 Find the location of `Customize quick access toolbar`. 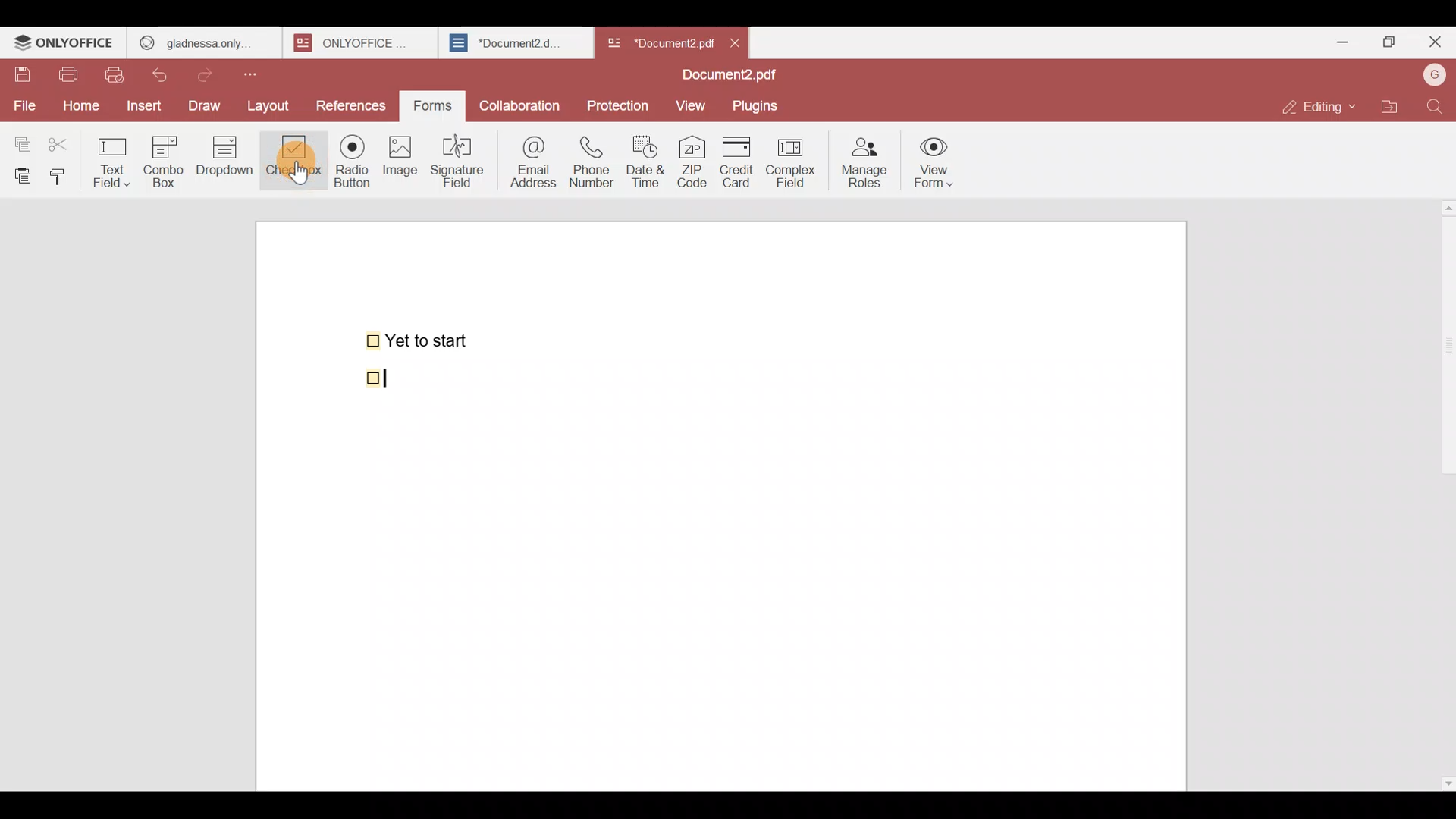

Customize quick access toolbar is located at coordinates (263, 71).